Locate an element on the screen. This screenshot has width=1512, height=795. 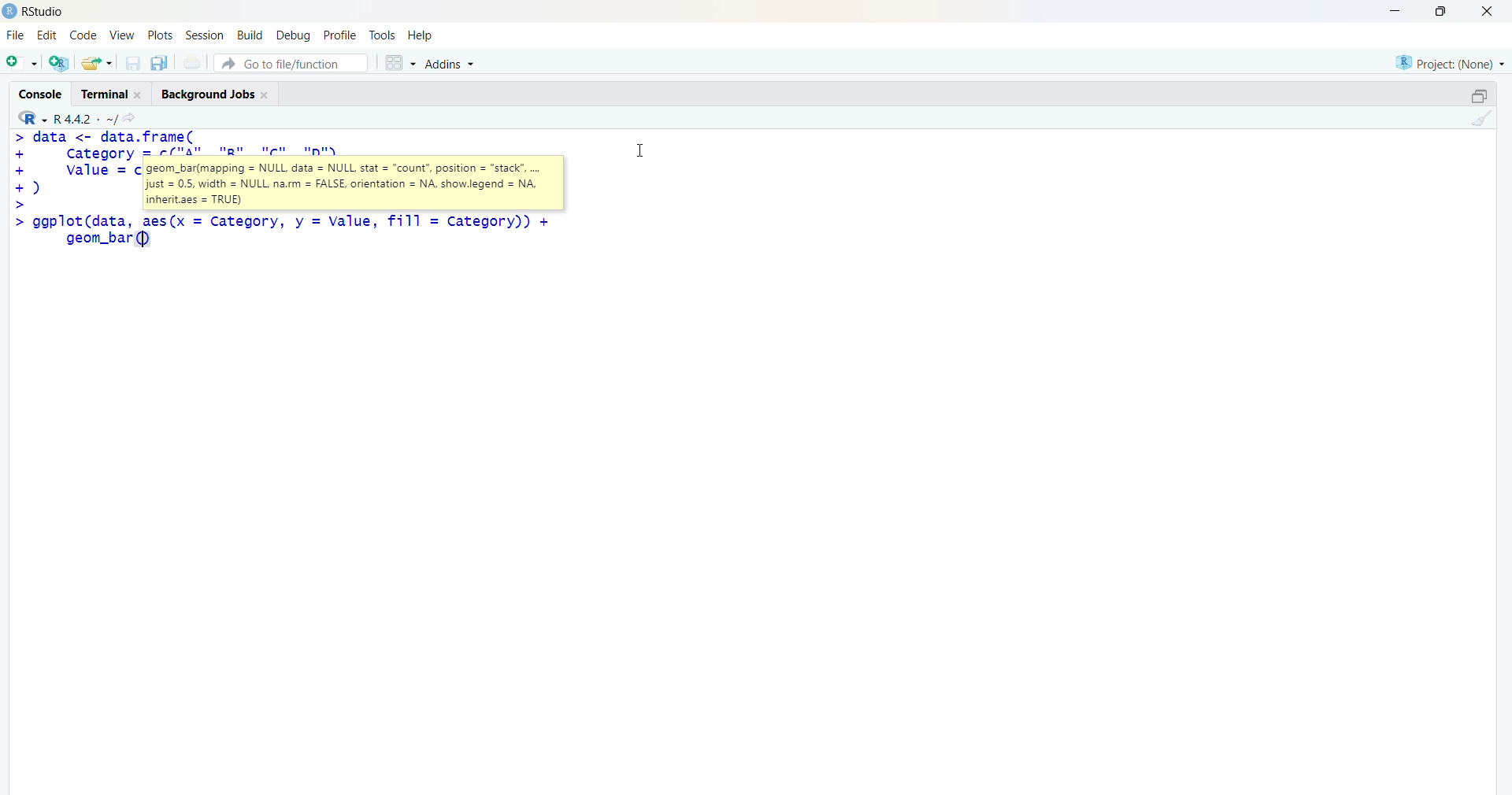
# Go to file/function is located at coordinates (291, 63).